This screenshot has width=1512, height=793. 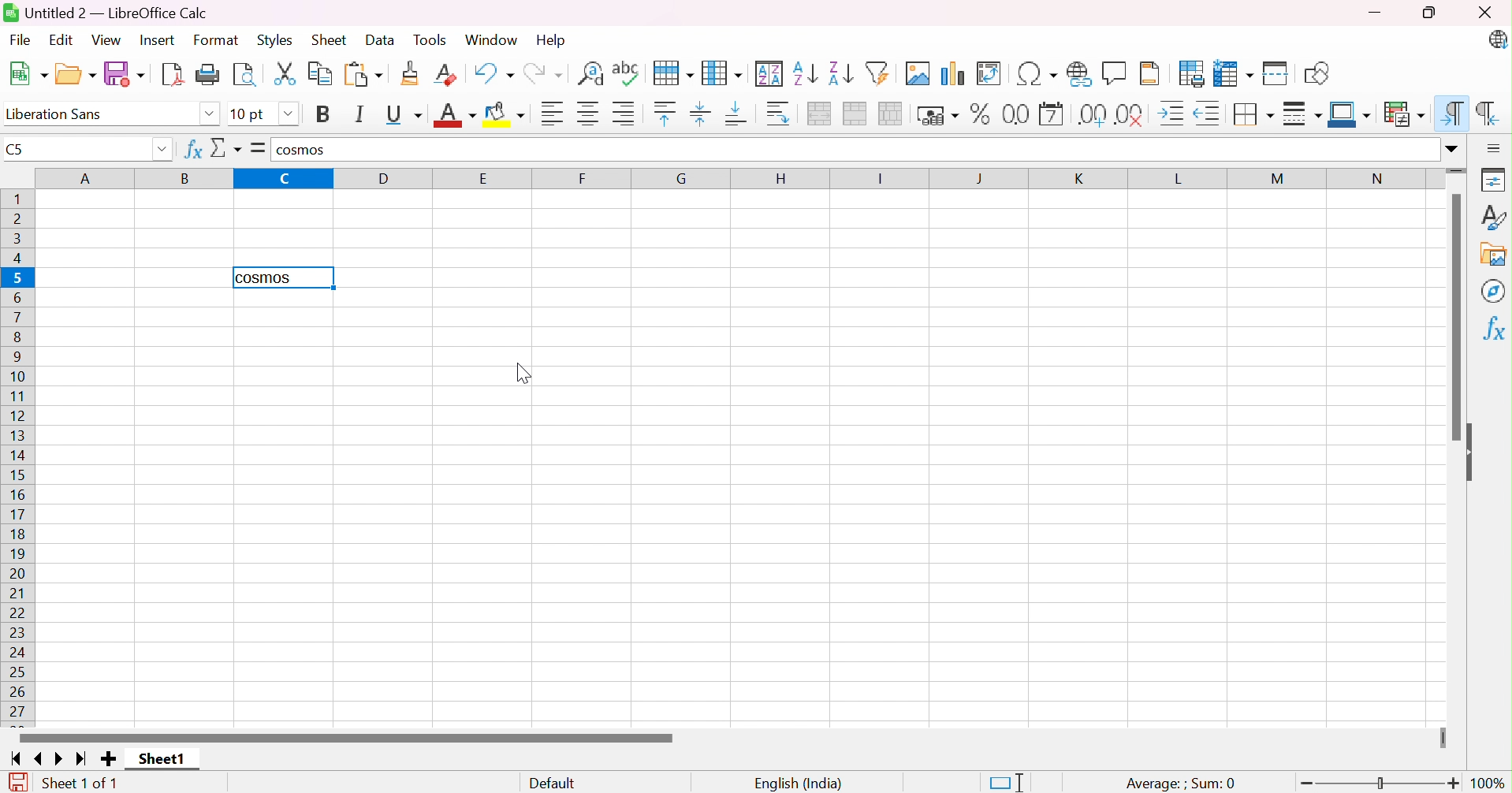 I want to click on Insert Comment, so click(x=1114, y=73).